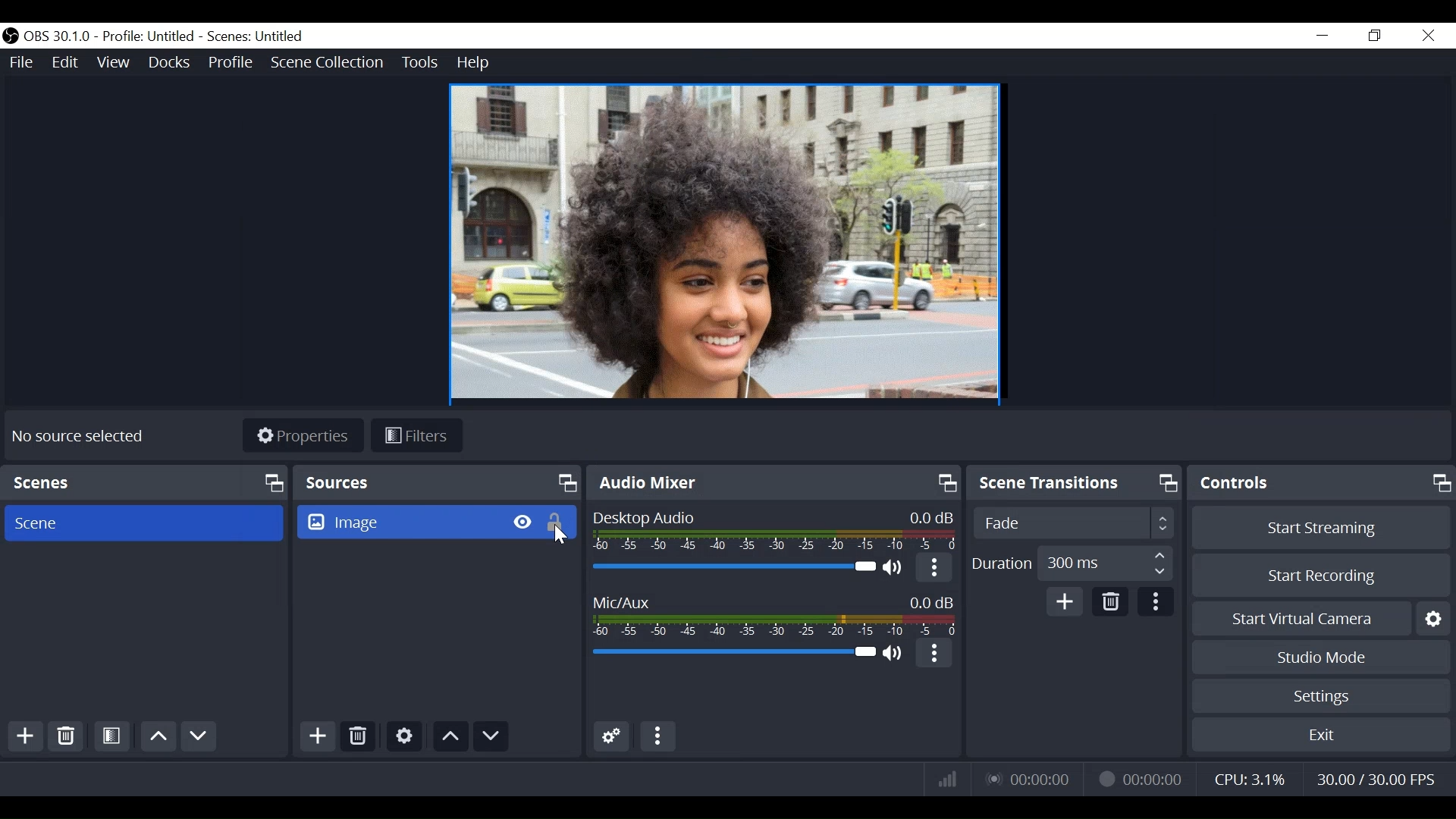 Image resolution: width=1456 pixels, height=819 pixels. I want to click on more Options, so click(931, 653).